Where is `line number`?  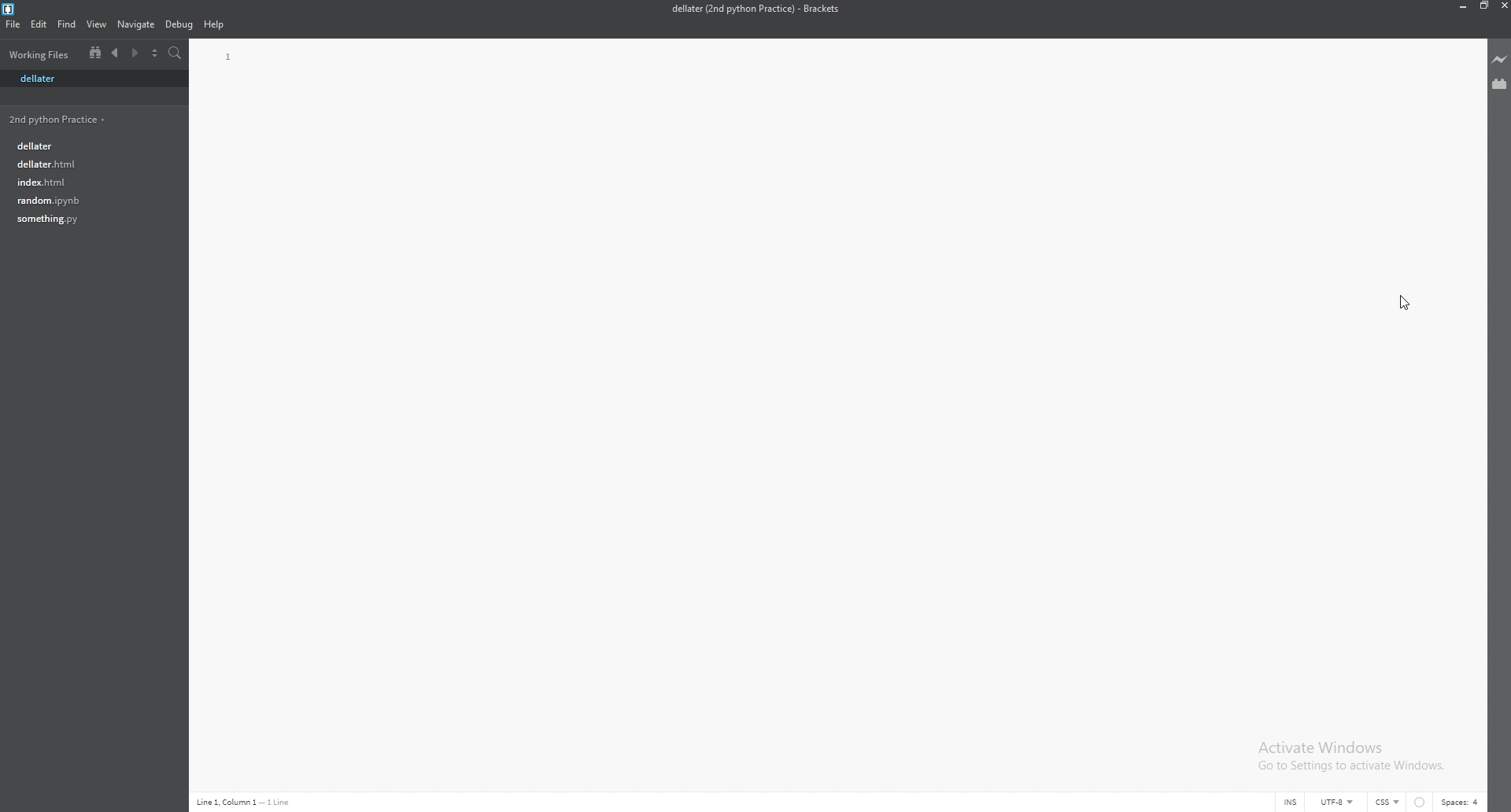
line number is located at coordinates (230, 57).